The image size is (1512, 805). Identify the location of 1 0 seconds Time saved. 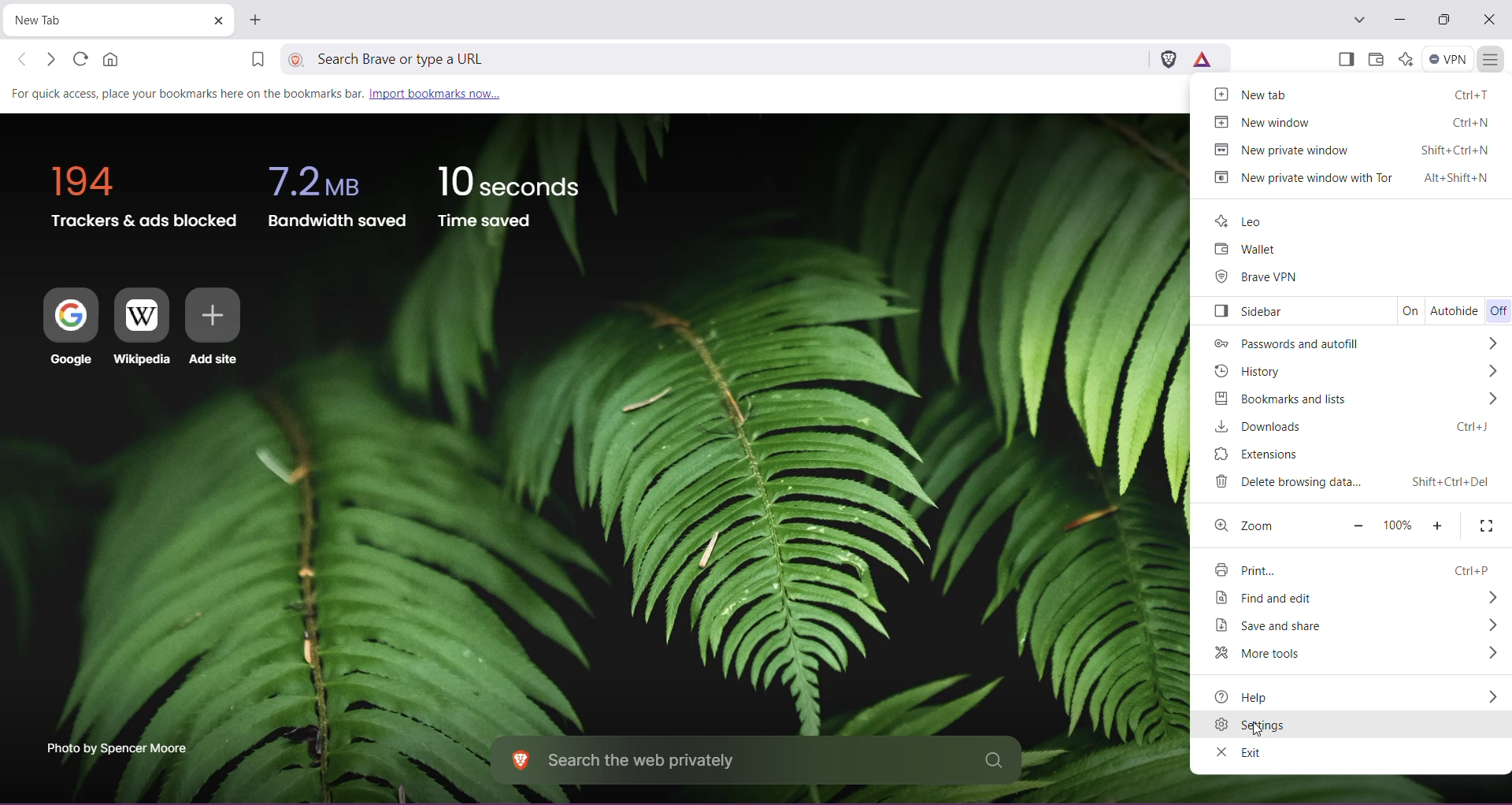
(509, 192).